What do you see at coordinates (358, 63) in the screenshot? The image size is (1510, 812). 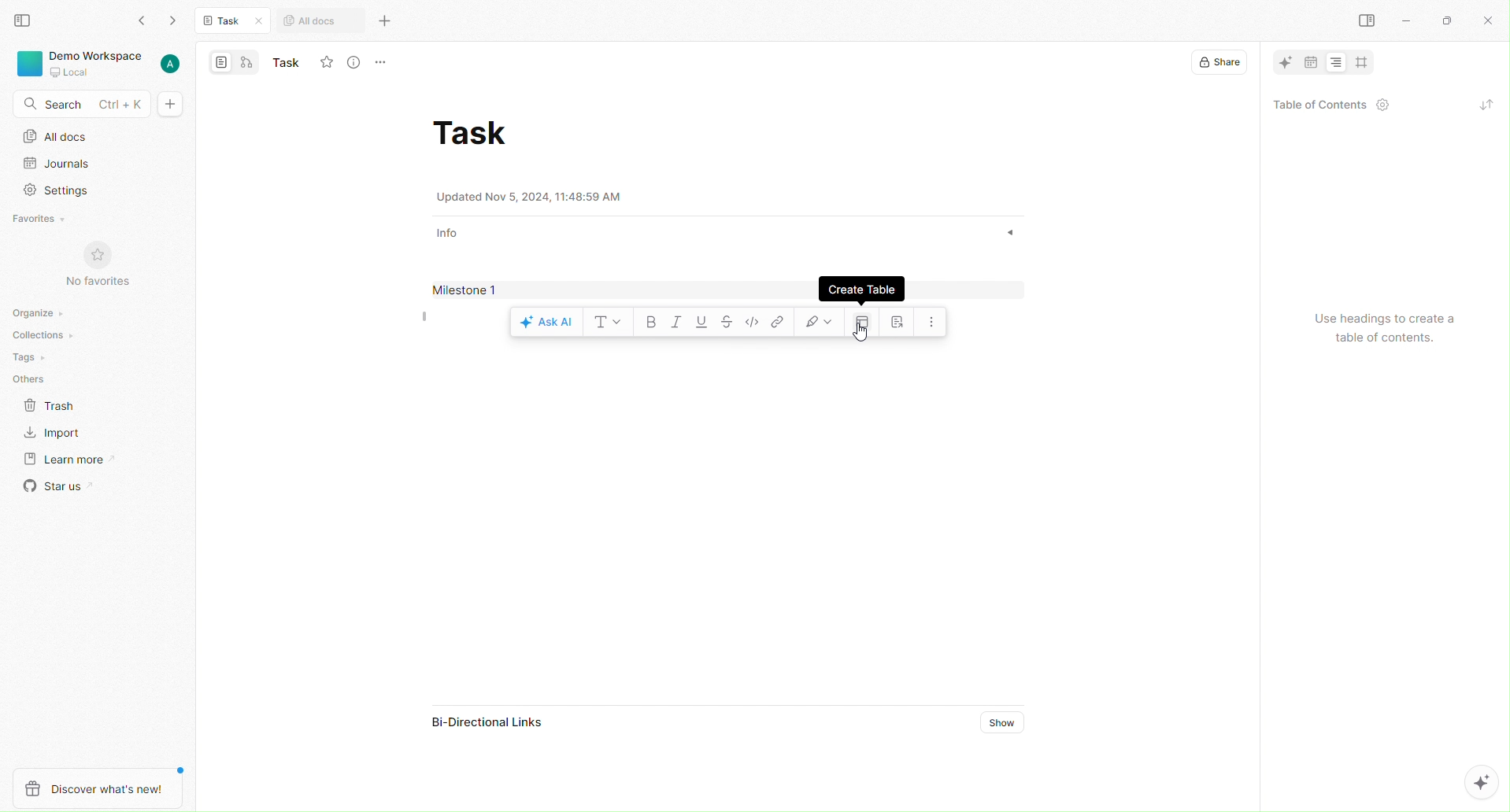 I see `View Info` at bounding box center [358, 63].